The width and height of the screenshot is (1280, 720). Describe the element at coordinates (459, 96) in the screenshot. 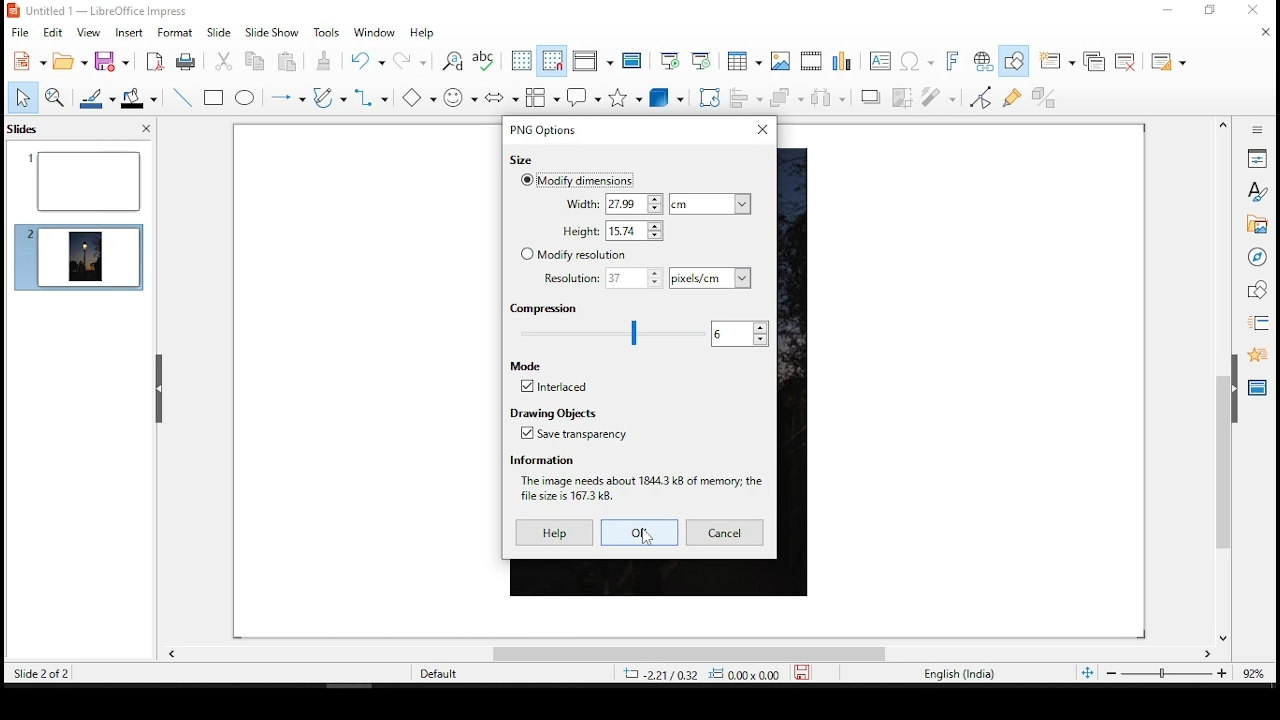

I see `symbol shapes` at that location.